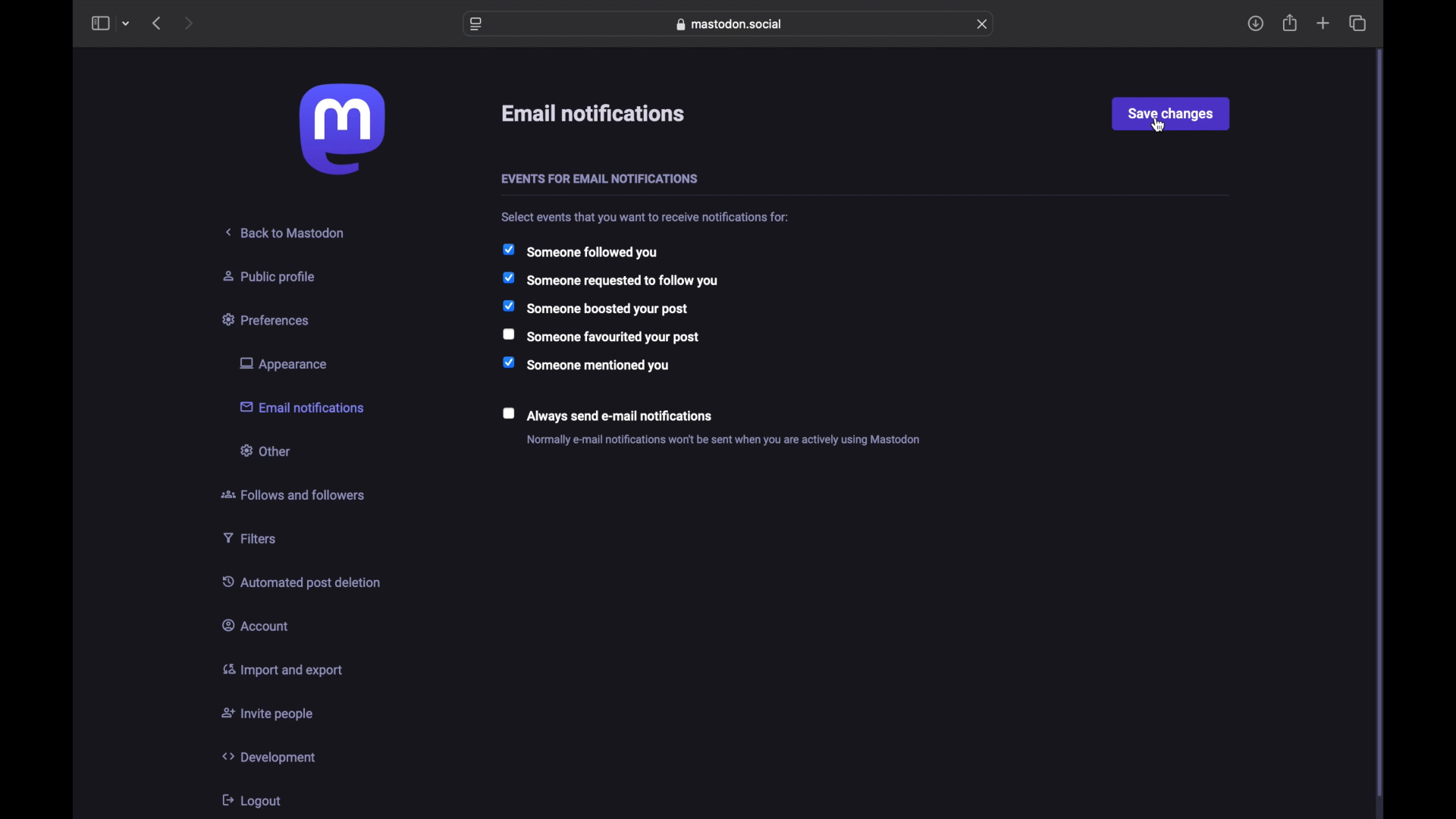 The height and width of the screenshot is (819, 1456). Describe the element at coordinates (282, 670) in the screenshot. I see `import and export` at that location.